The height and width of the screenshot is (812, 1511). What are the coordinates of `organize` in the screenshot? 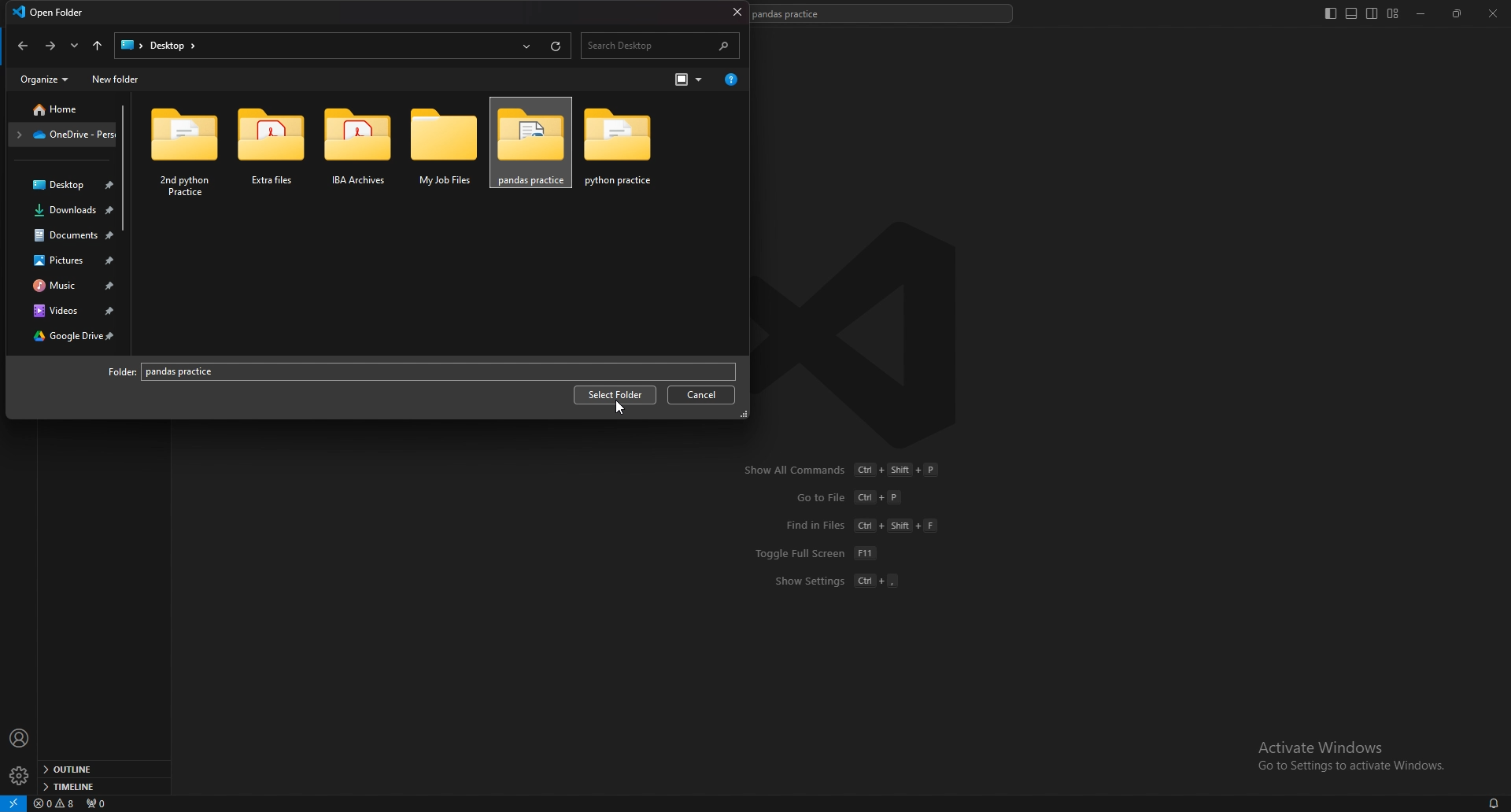 It's located at (46, 79).